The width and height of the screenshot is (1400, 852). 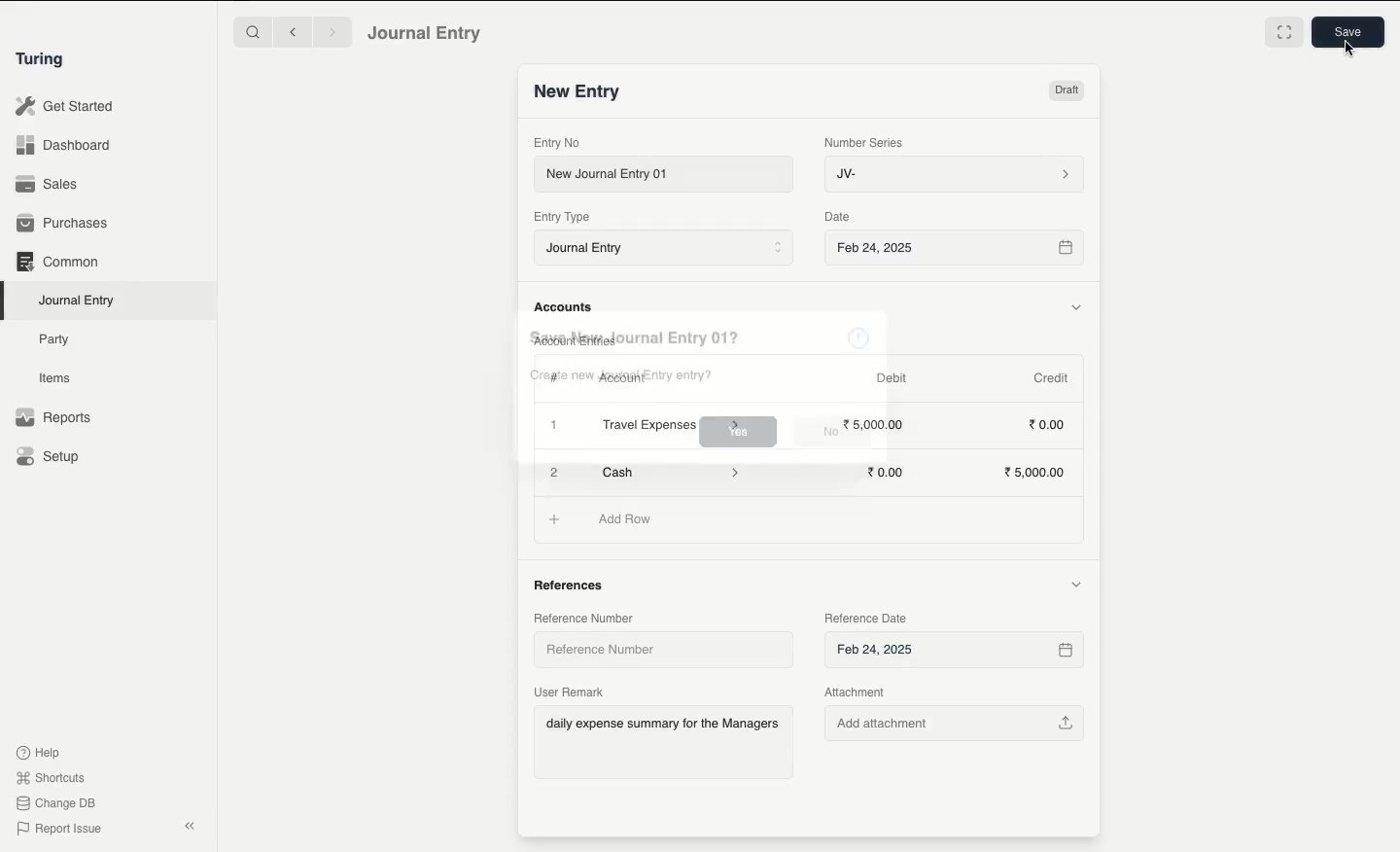 What do you see at coordinates (666, 471) in the screenshot?
I see `Cash` at bounding box center [666, 471].